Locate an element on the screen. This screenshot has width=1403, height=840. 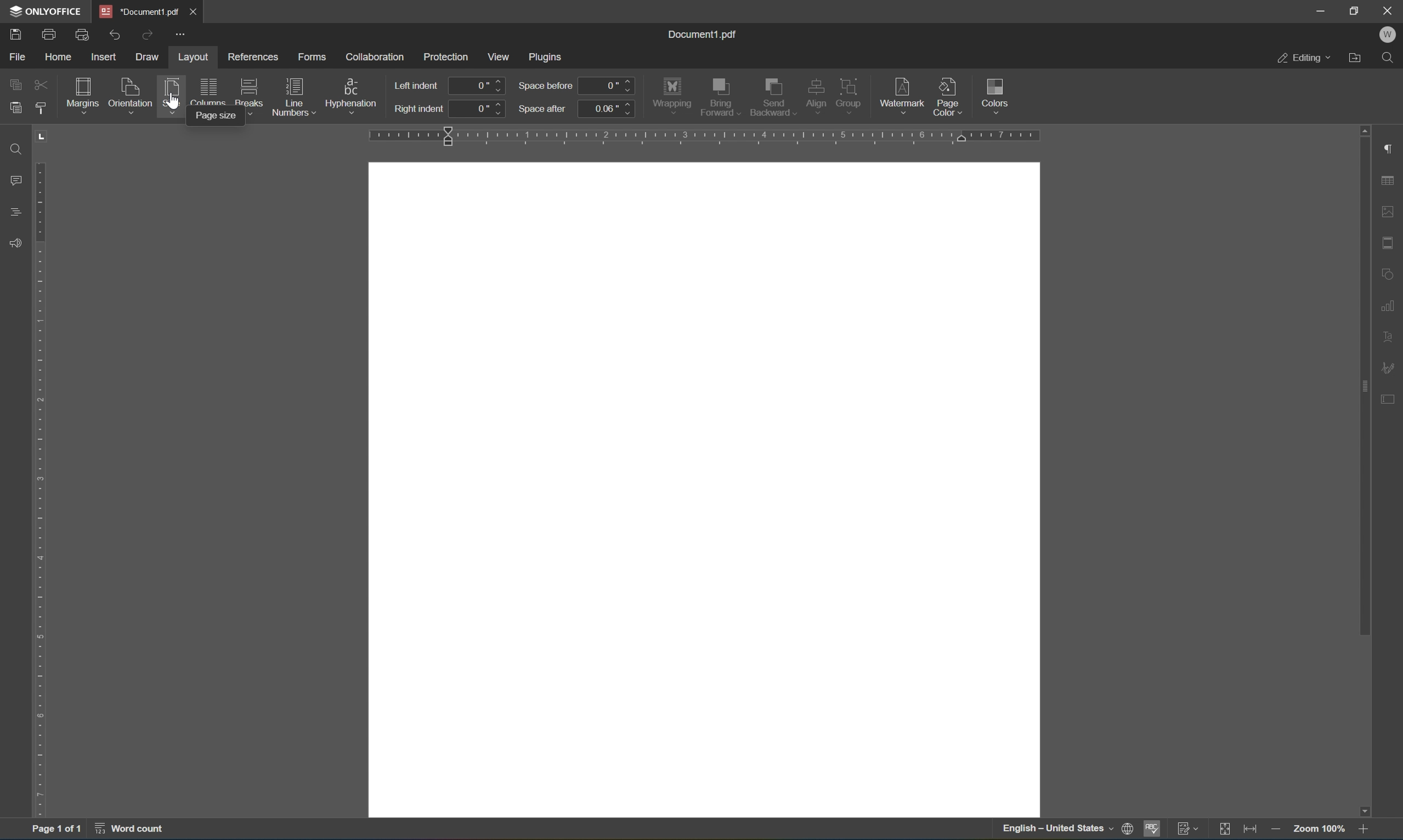
right indent is located at coordinates (418, 110).